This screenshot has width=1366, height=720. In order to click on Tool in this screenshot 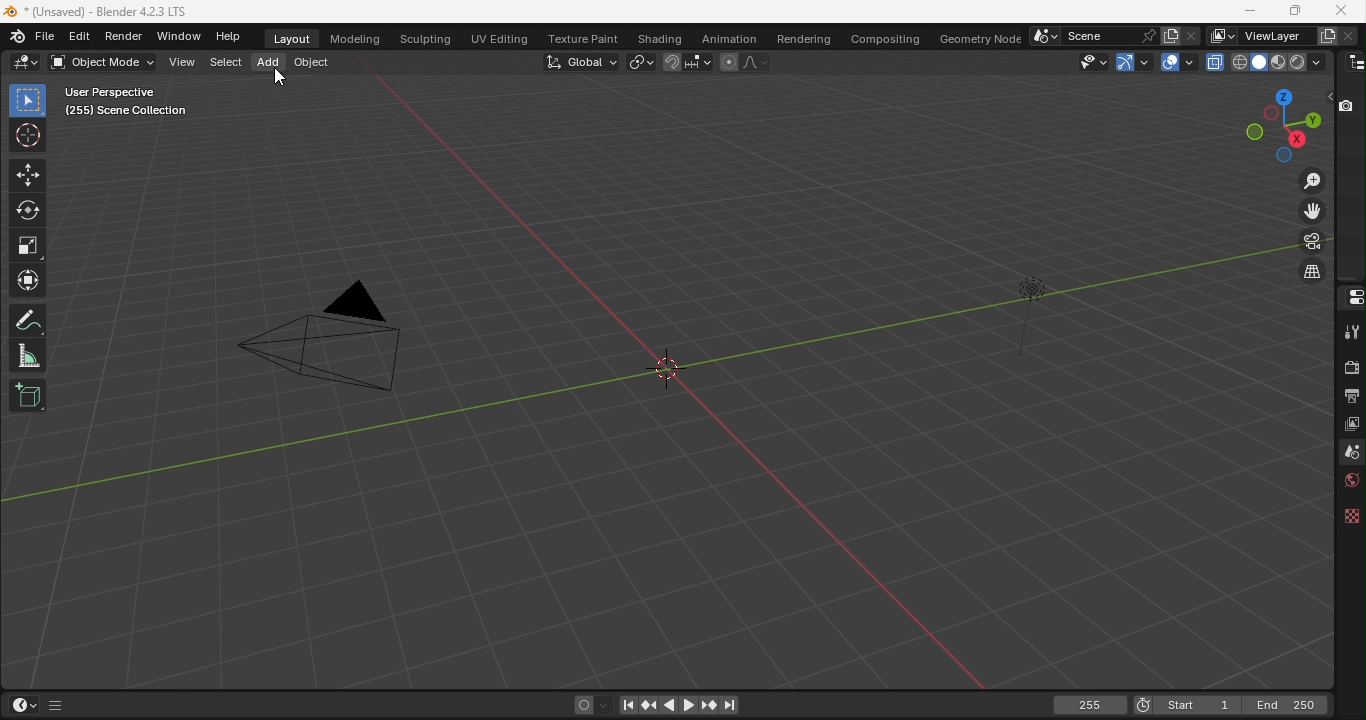, I will do `click(1351, 330)`.